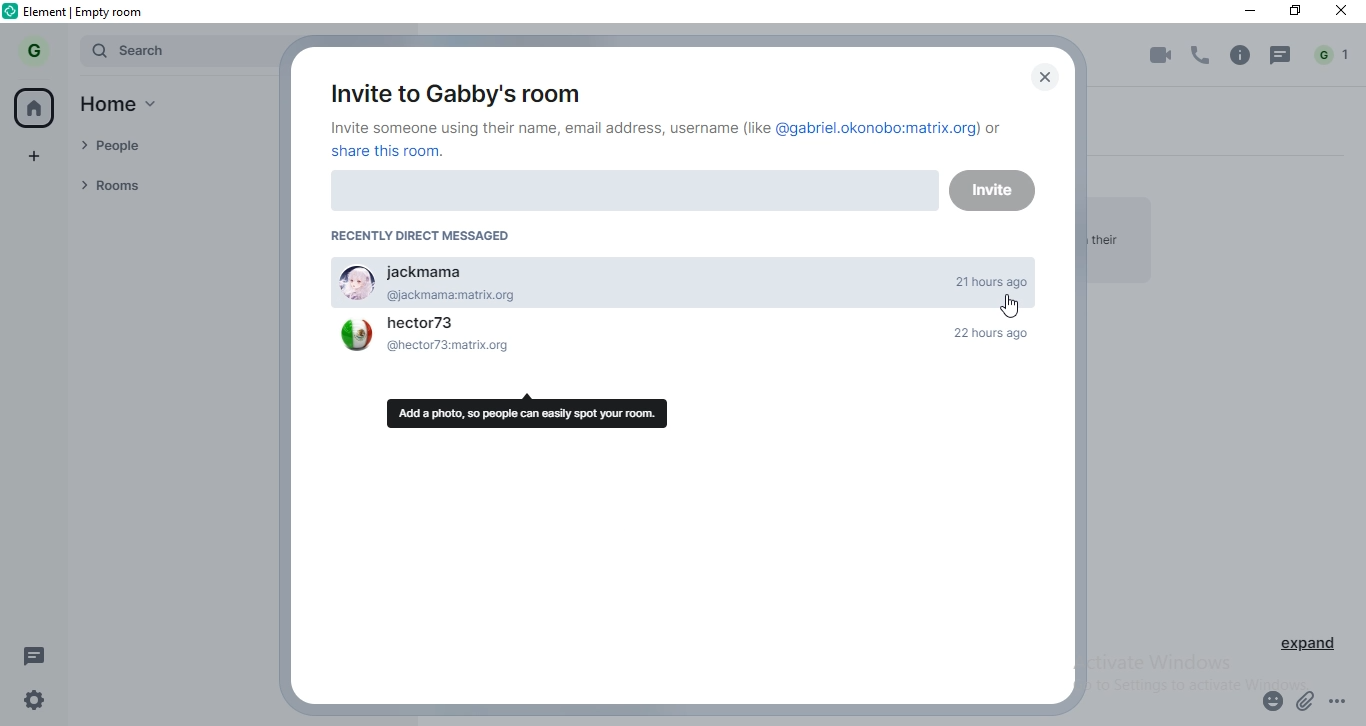  Describe the element at coordinates (430, 236) in the screenshot. I see `recently direct messaged` at that location.